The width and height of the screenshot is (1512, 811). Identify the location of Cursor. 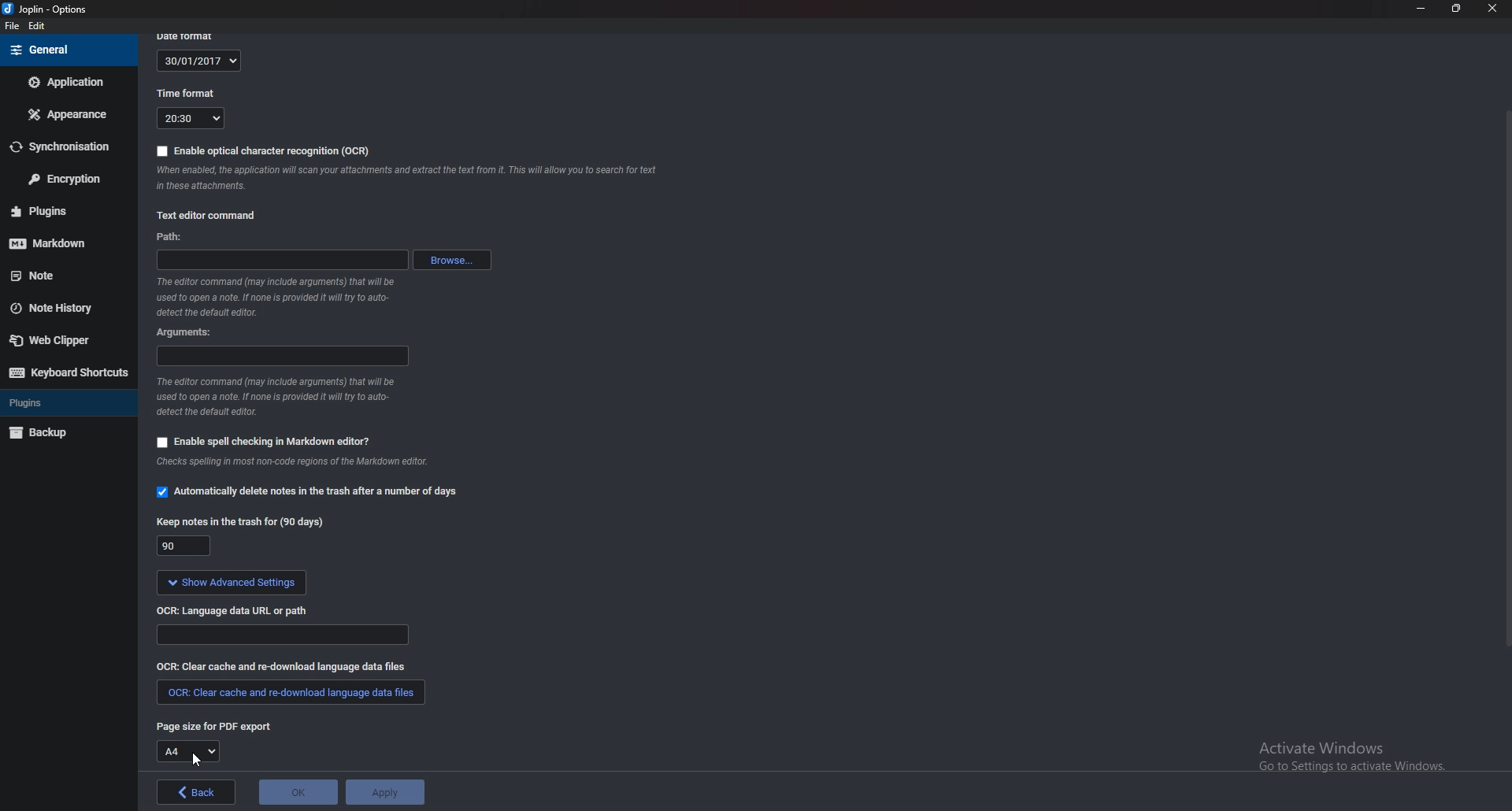
(195, 758).